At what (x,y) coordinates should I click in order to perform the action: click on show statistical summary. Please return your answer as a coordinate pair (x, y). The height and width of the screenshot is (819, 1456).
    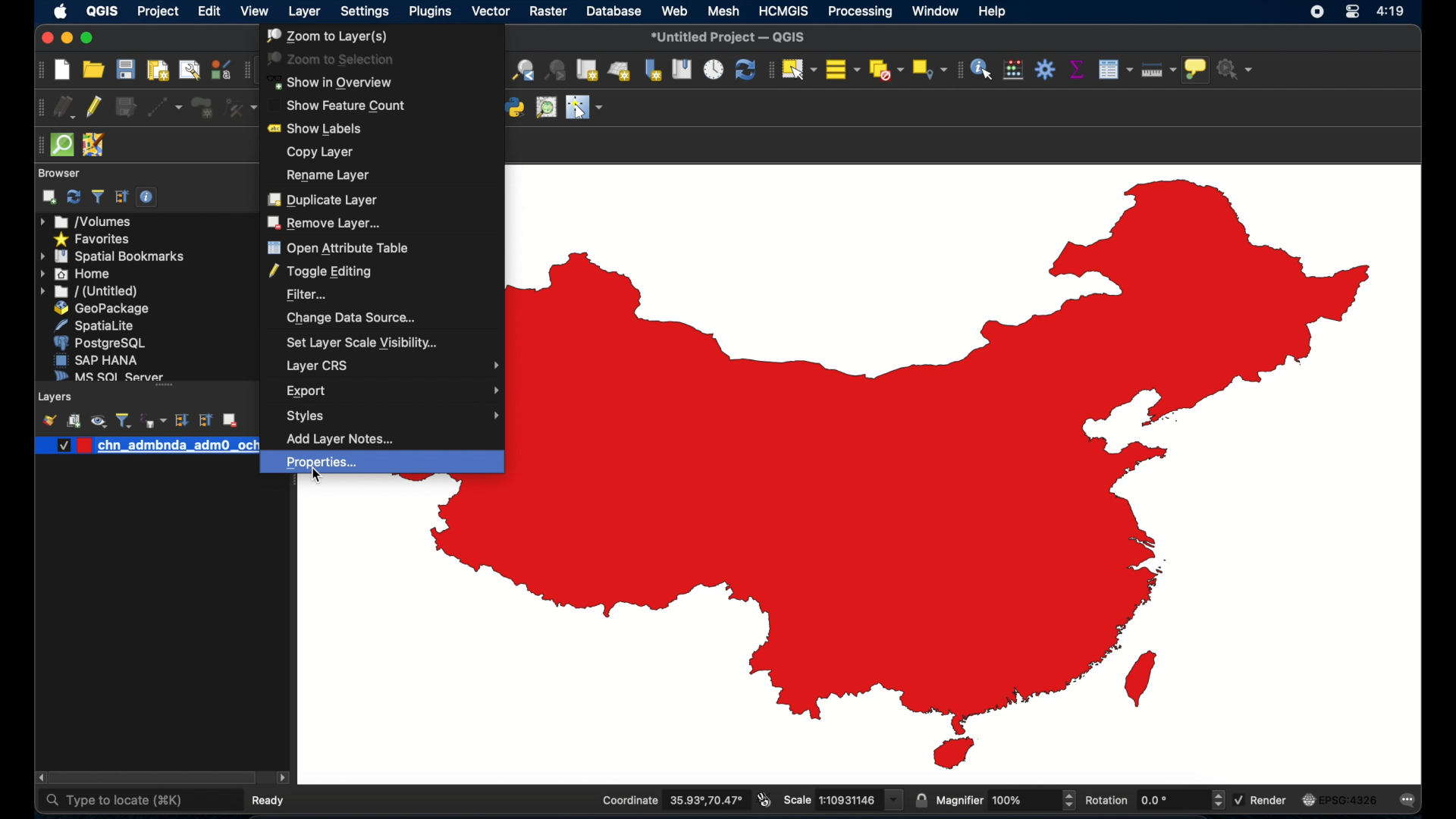
    Looking at the image, I should click on (1076, 71).